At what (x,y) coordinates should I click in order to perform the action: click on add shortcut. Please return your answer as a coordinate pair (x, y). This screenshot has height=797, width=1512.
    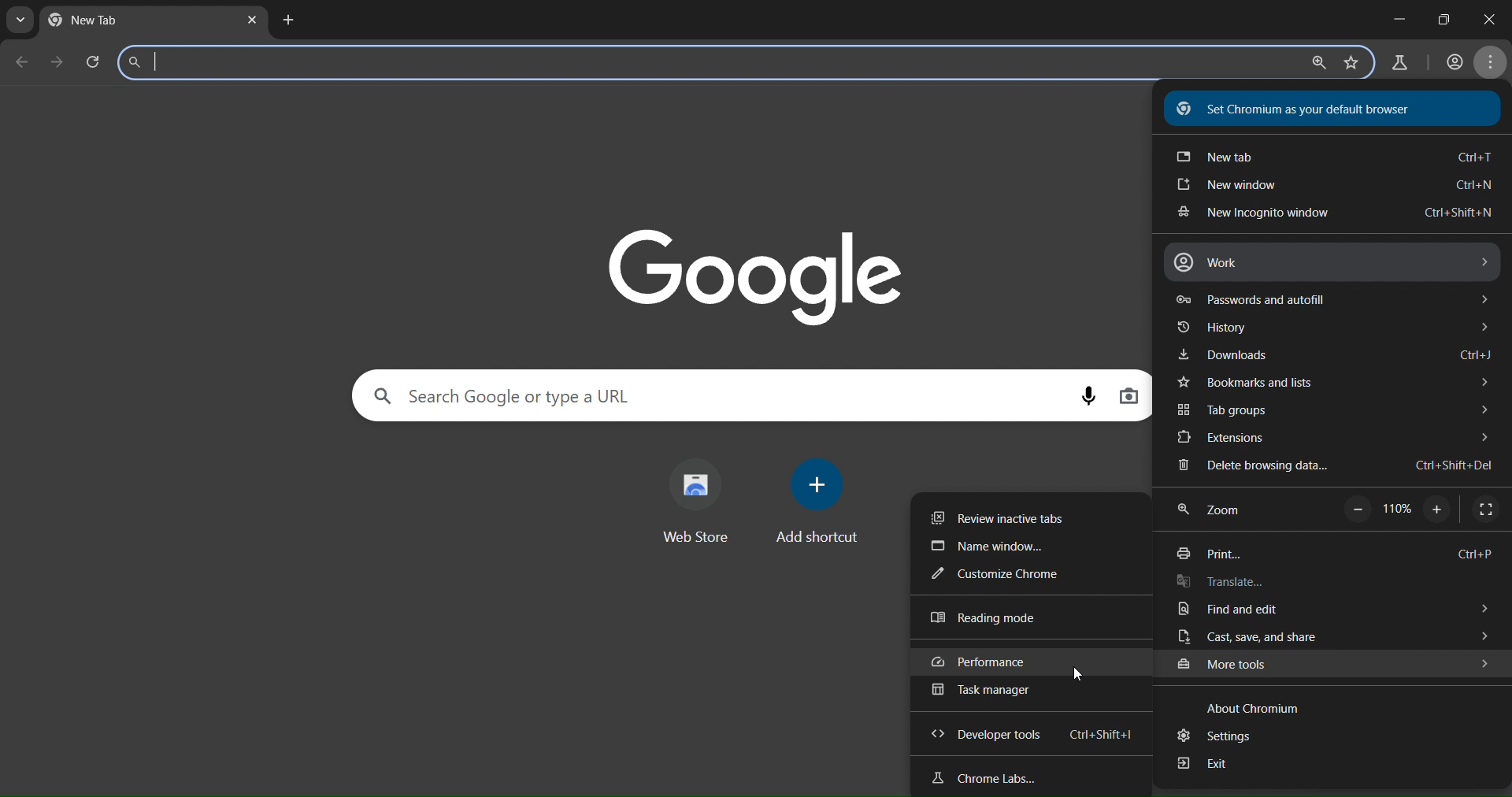
    Looking at the image, I should click on (821, 500).